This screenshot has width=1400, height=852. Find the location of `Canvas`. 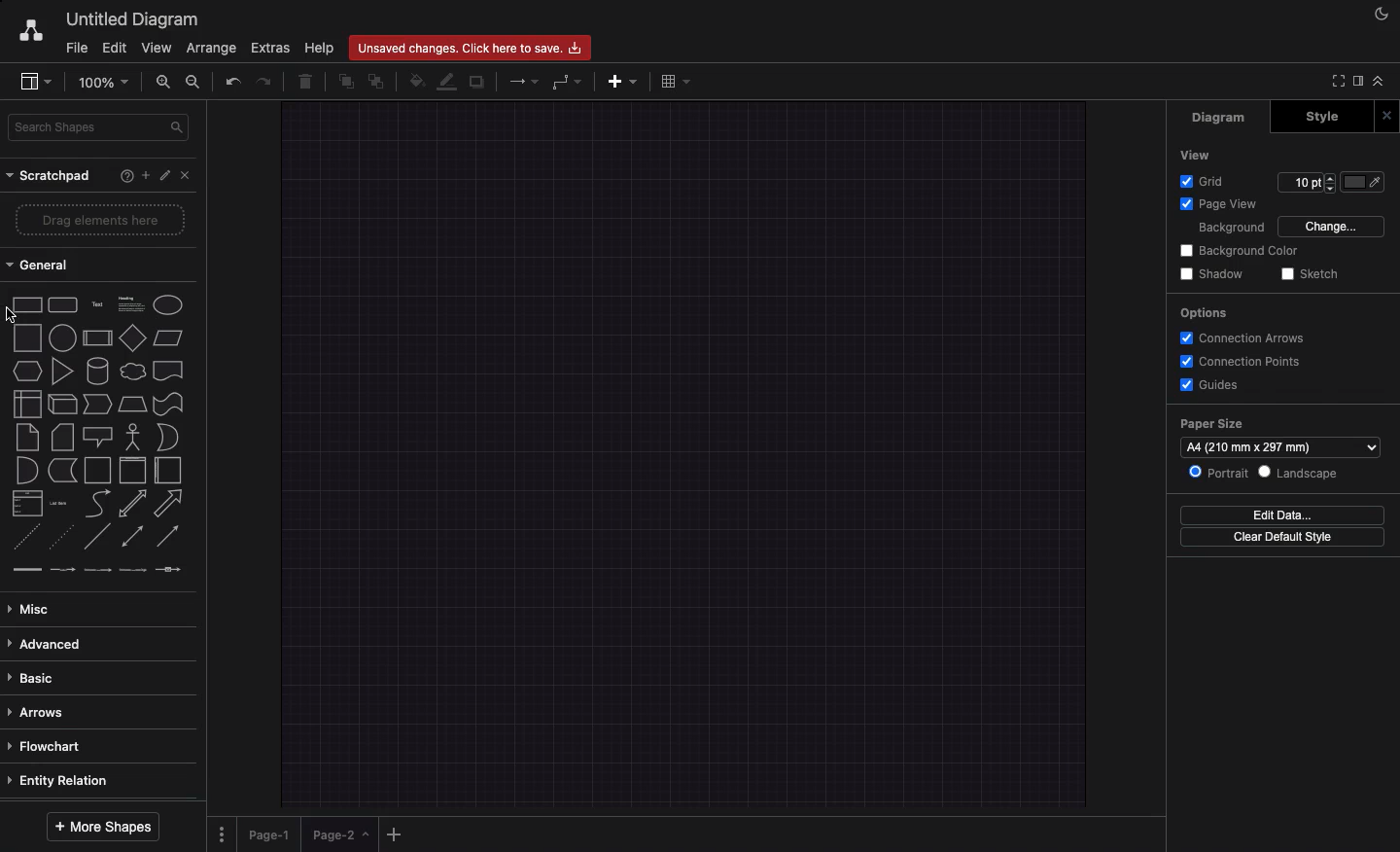

Canvas is located at coordinates (684, 453).